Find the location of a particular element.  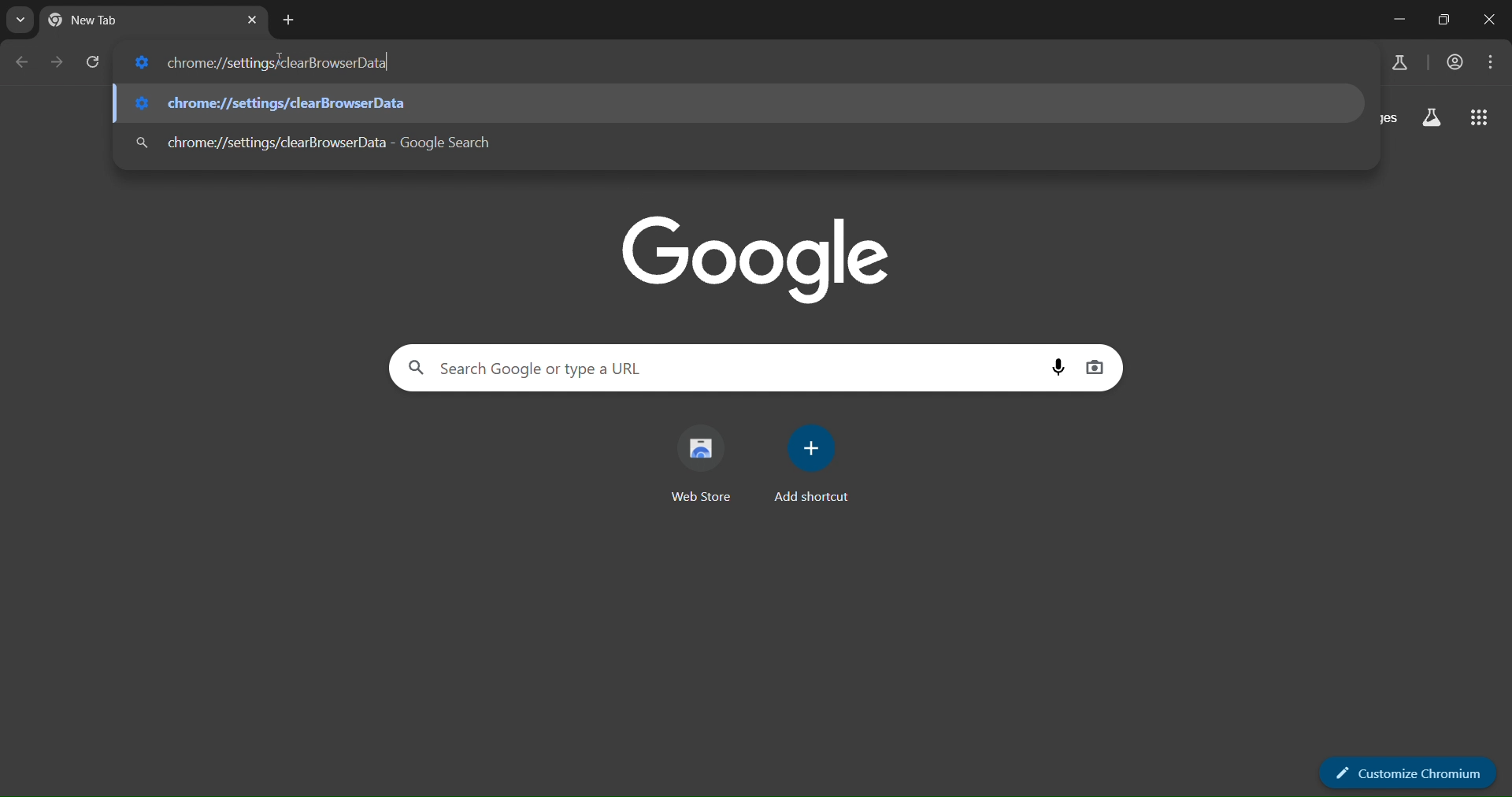

account is located at coordinates (1453, 62).